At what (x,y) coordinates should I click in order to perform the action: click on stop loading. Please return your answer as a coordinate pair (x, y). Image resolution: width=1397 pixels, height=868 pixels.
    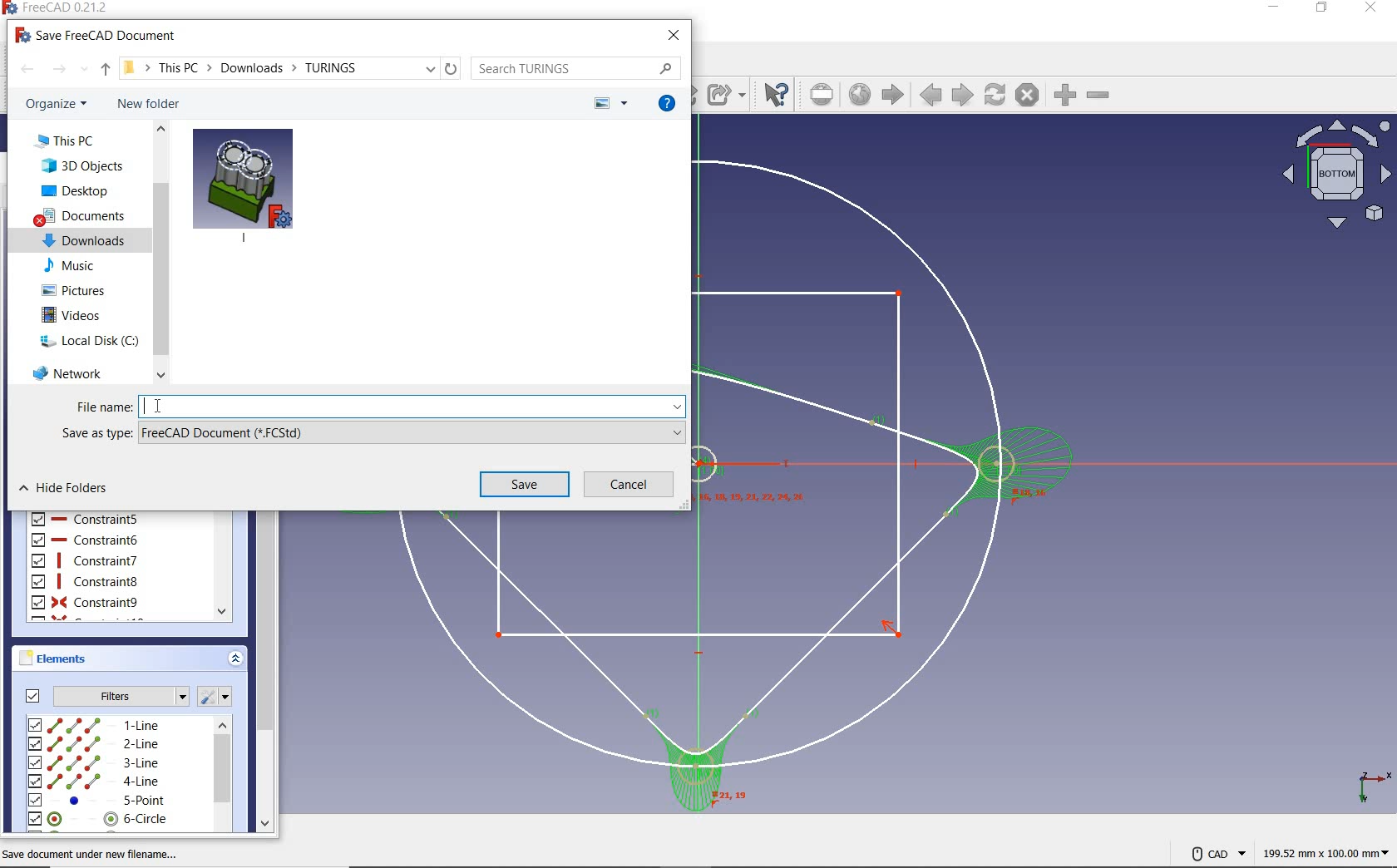
    Looking at the image, I should click on (1027, 96).